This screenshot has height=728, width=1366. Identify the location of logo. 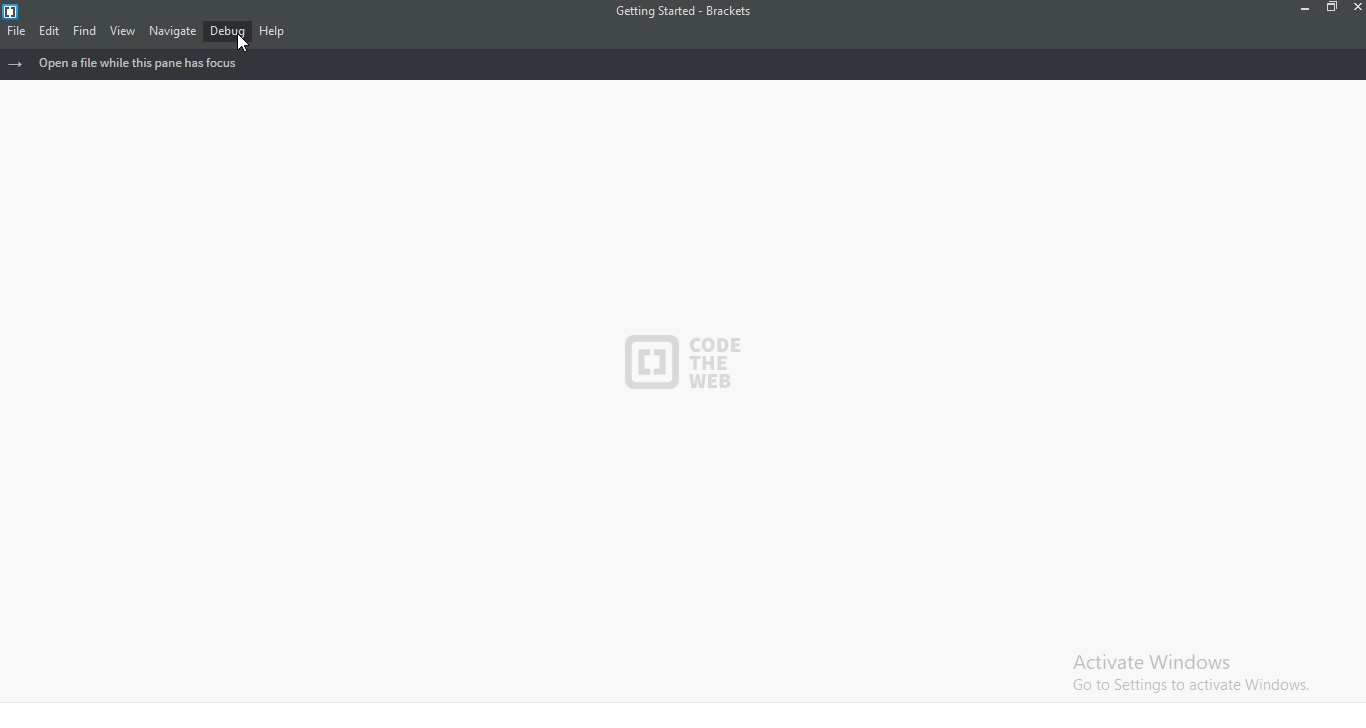
(15, 11).